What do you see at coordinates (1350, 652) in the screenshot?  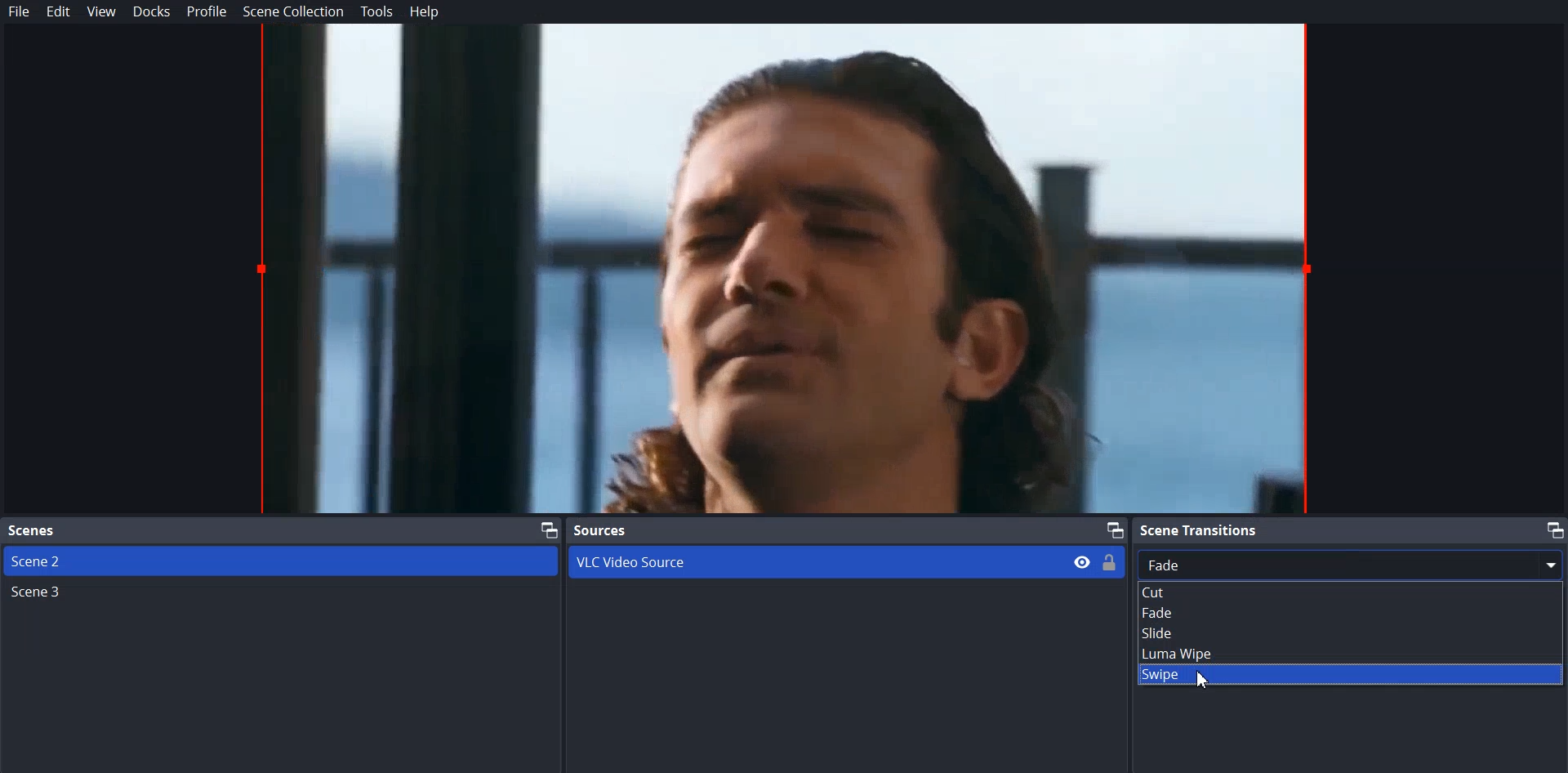 I see `Luma Wipe` at bounding box center [1350, 652].